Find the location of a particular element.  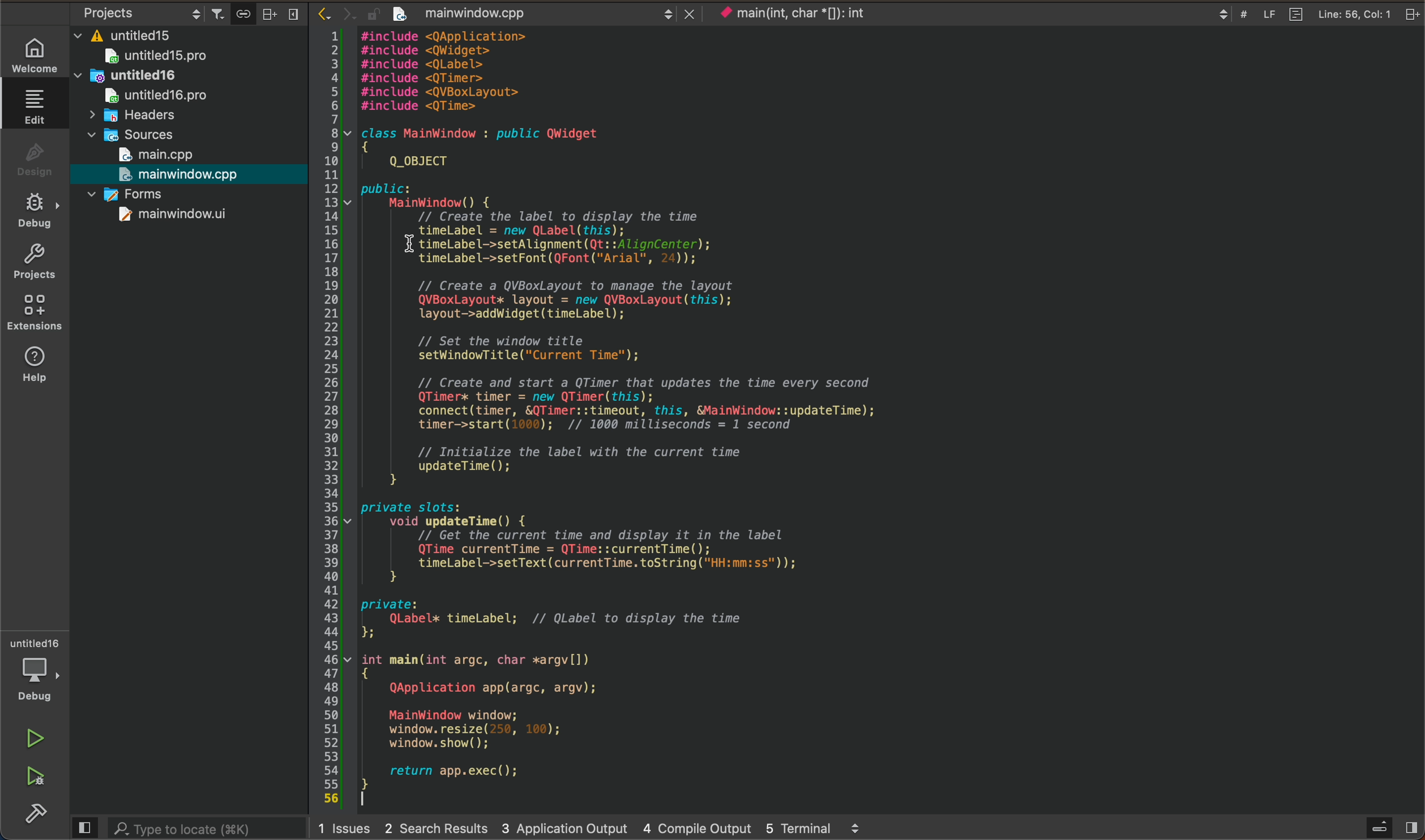

untitled16 is located at coordinates (151, 77).